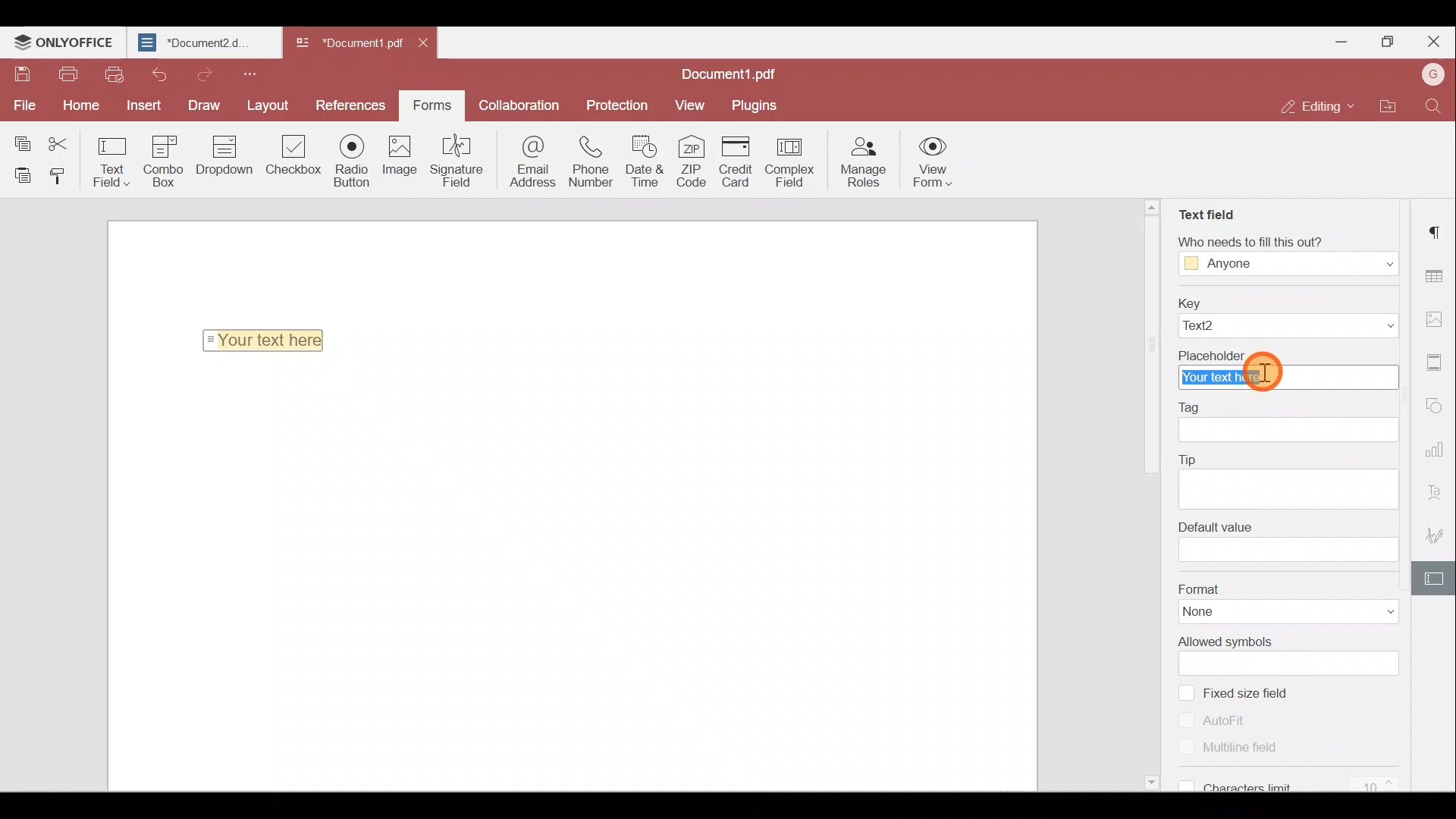 Image resolution: width=1456 pixels, height=819 pixels. What do you see at coordinates (1285, 488) in the screenshot?
I see `tip filed` at bounding box center [1285, 488].